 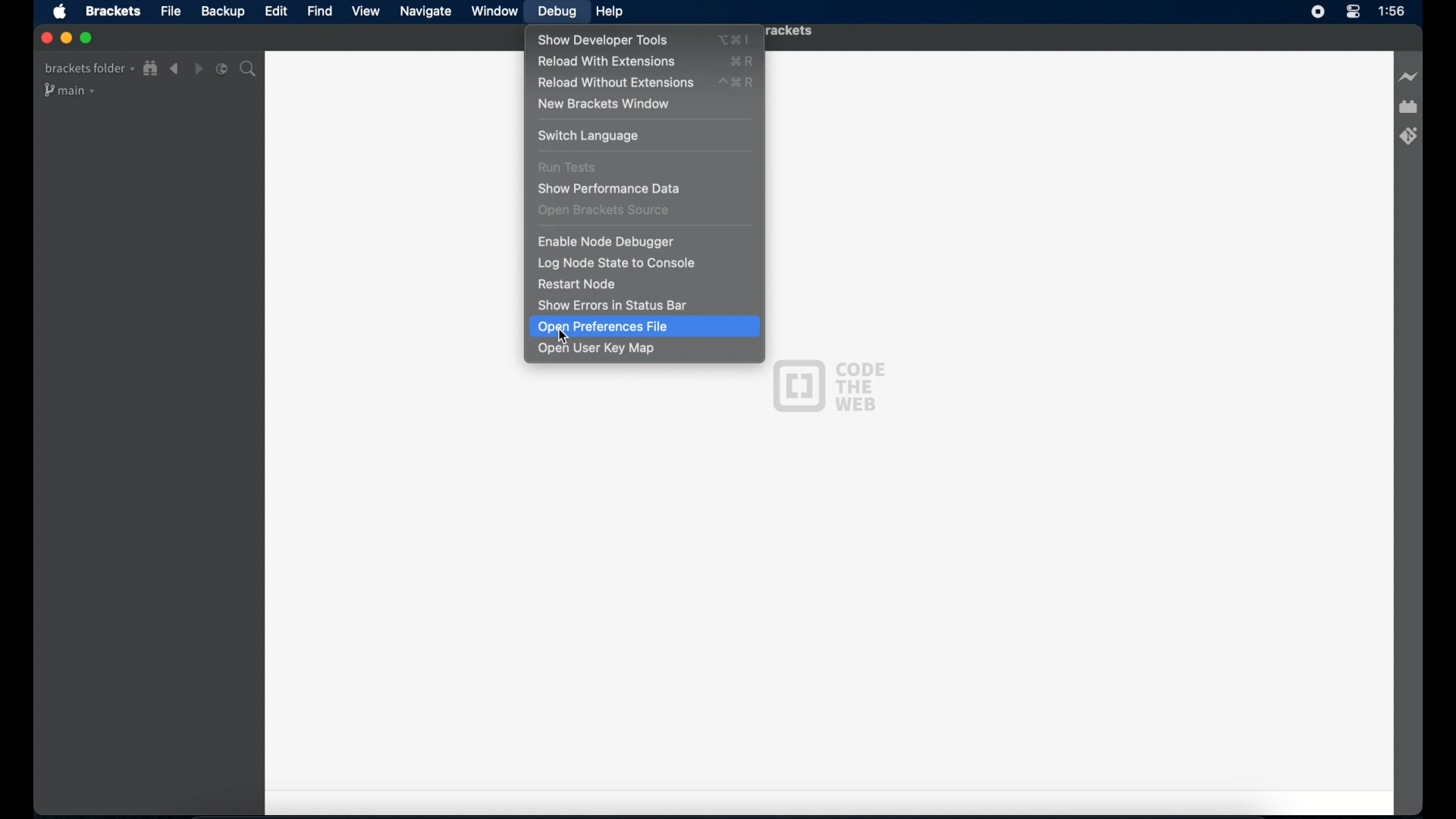 What do you see at coordinates (735, 39) in the screenshot?
I see `Xl` at bounding box center [735, 39].